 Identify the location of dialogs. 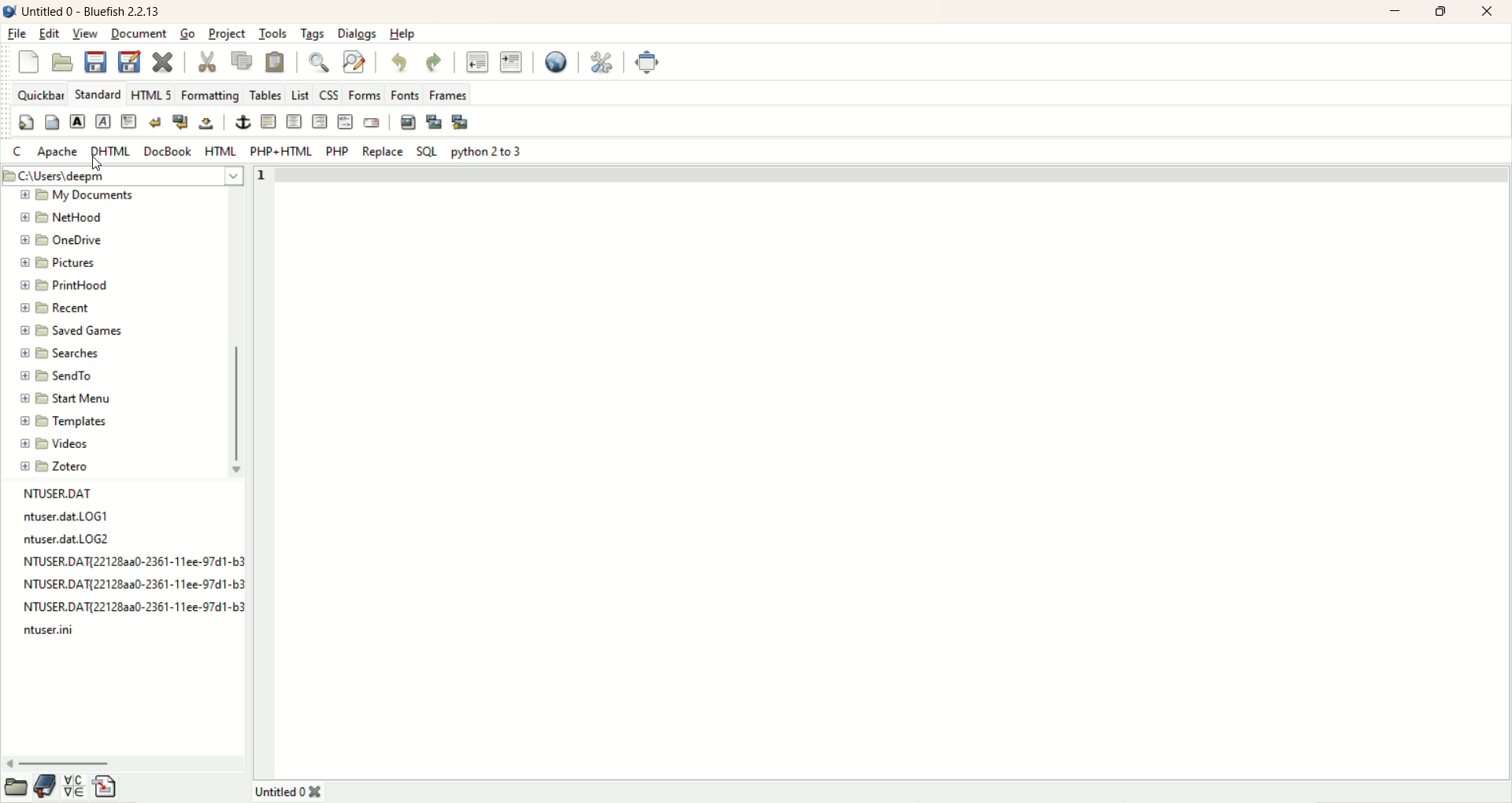
(357, 33).